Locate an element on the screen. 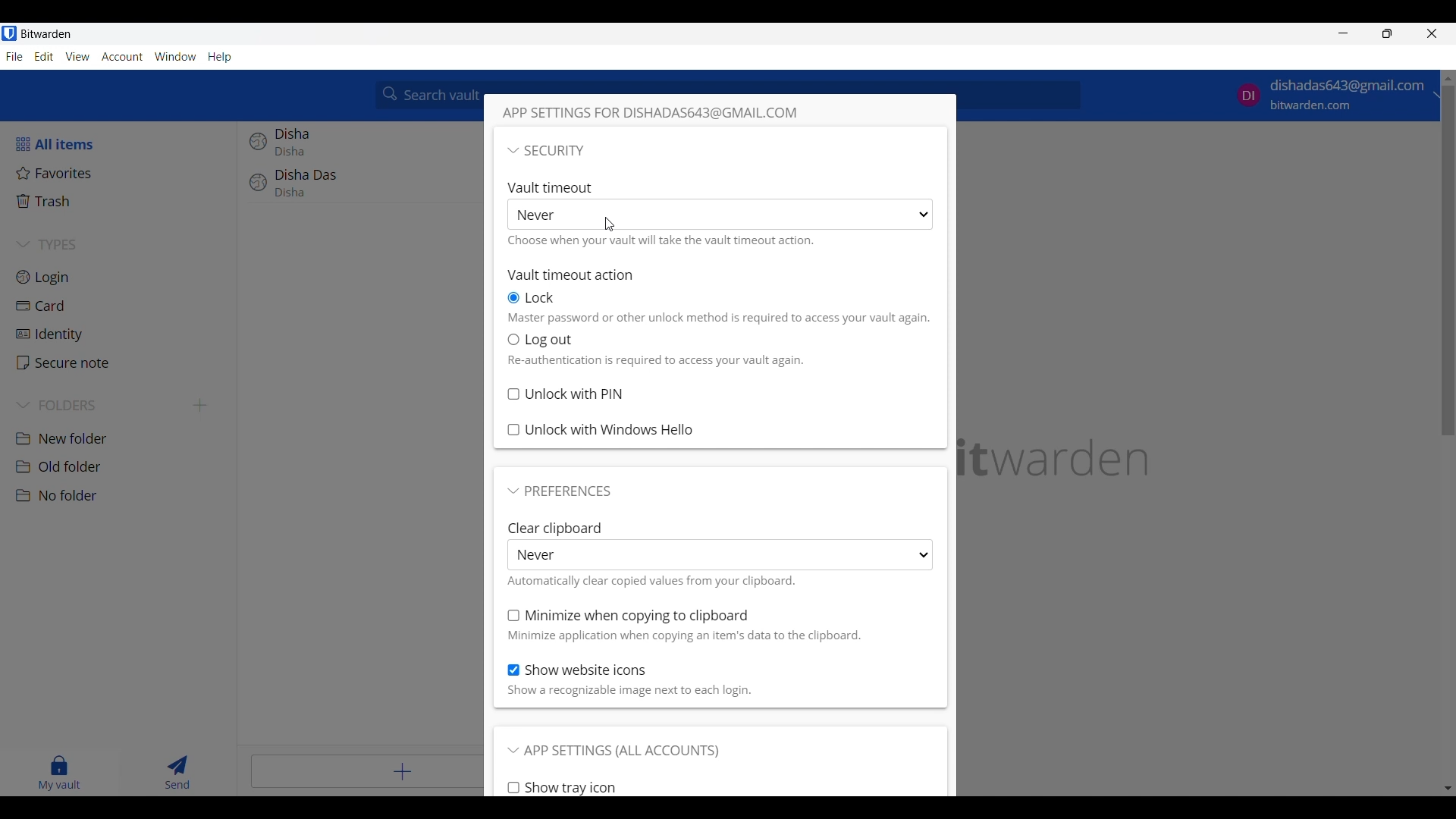  Clear clipboard list is located at coordinates (720, 555).